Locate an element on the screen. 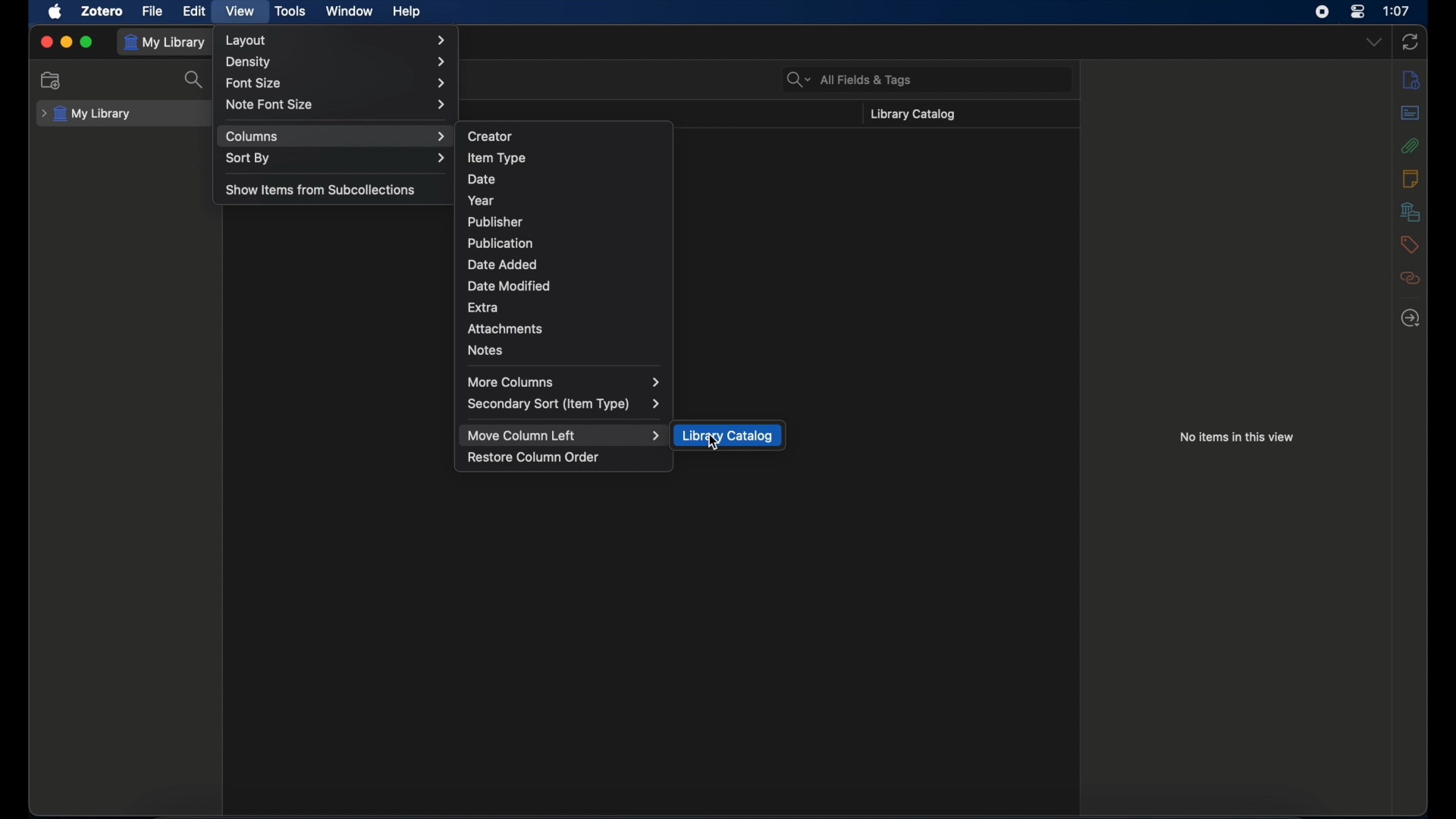 Image resolution: width=1456 pixels, height=819 pixels. notes is located at coordinates (1409, 178).